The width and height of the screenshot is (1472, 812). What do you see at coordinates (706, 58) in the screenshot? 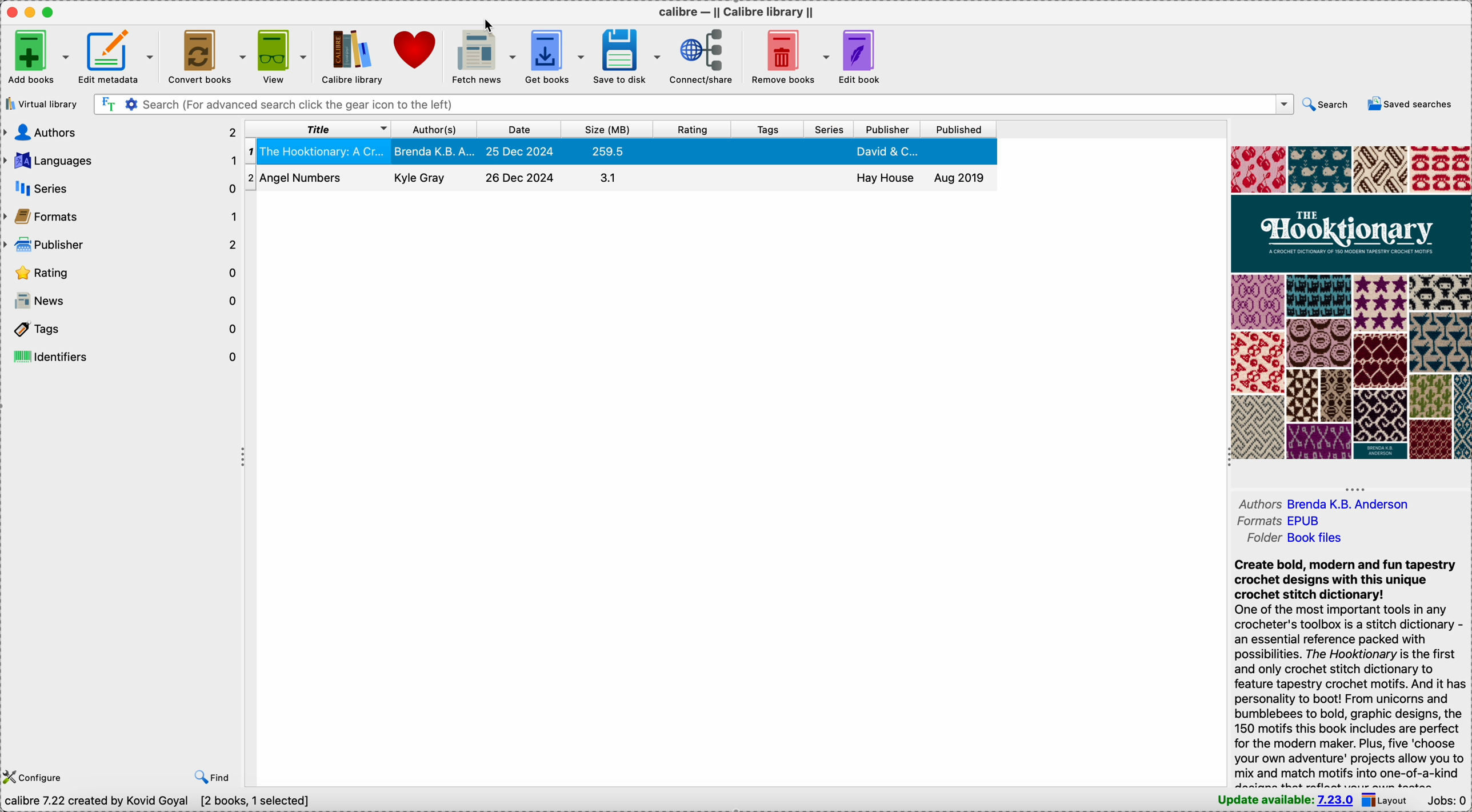
I see `connect/share` at bounding box center [706, 58].